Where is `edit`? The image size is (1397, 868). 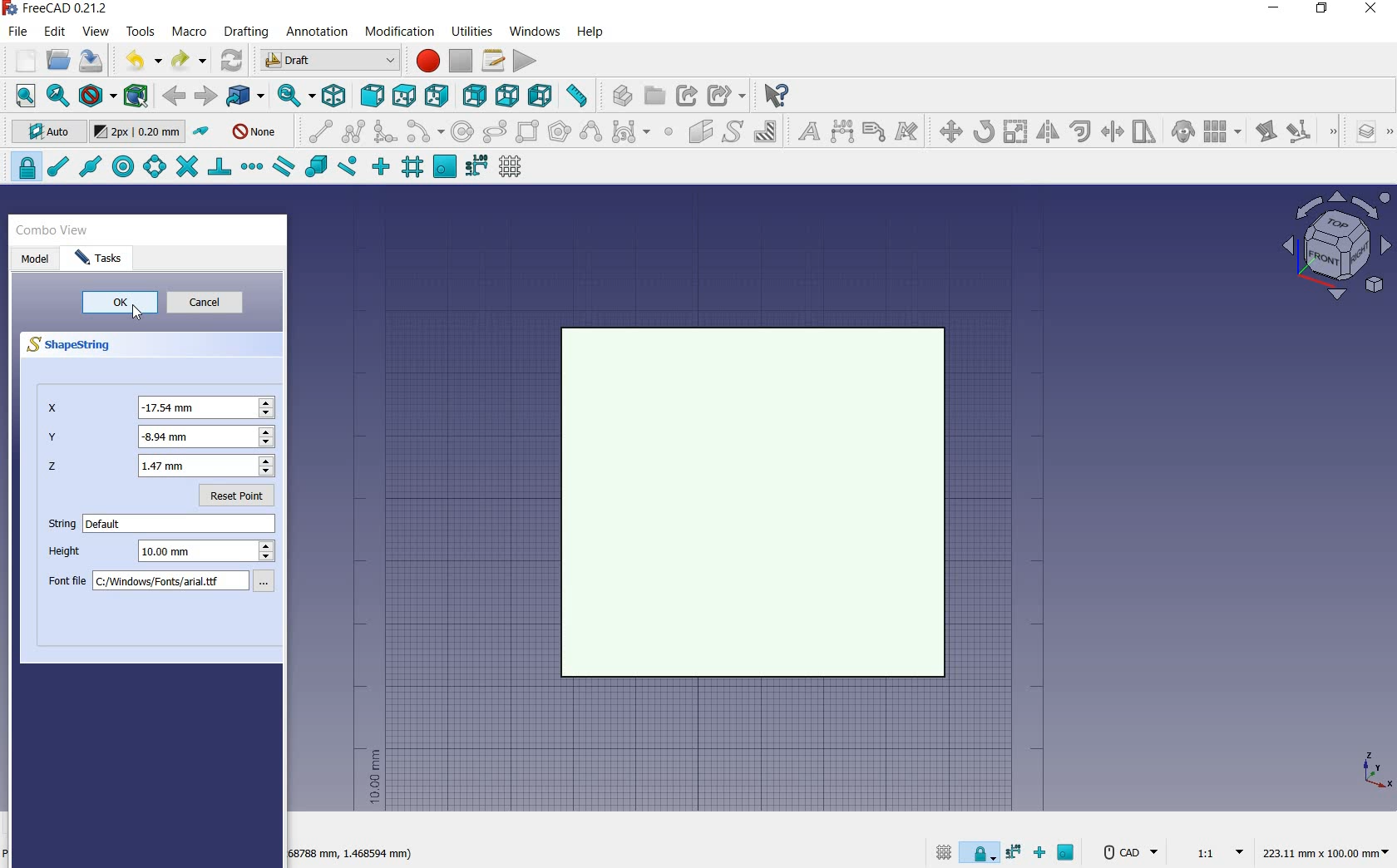 edit is located at coordinates (56, 32).